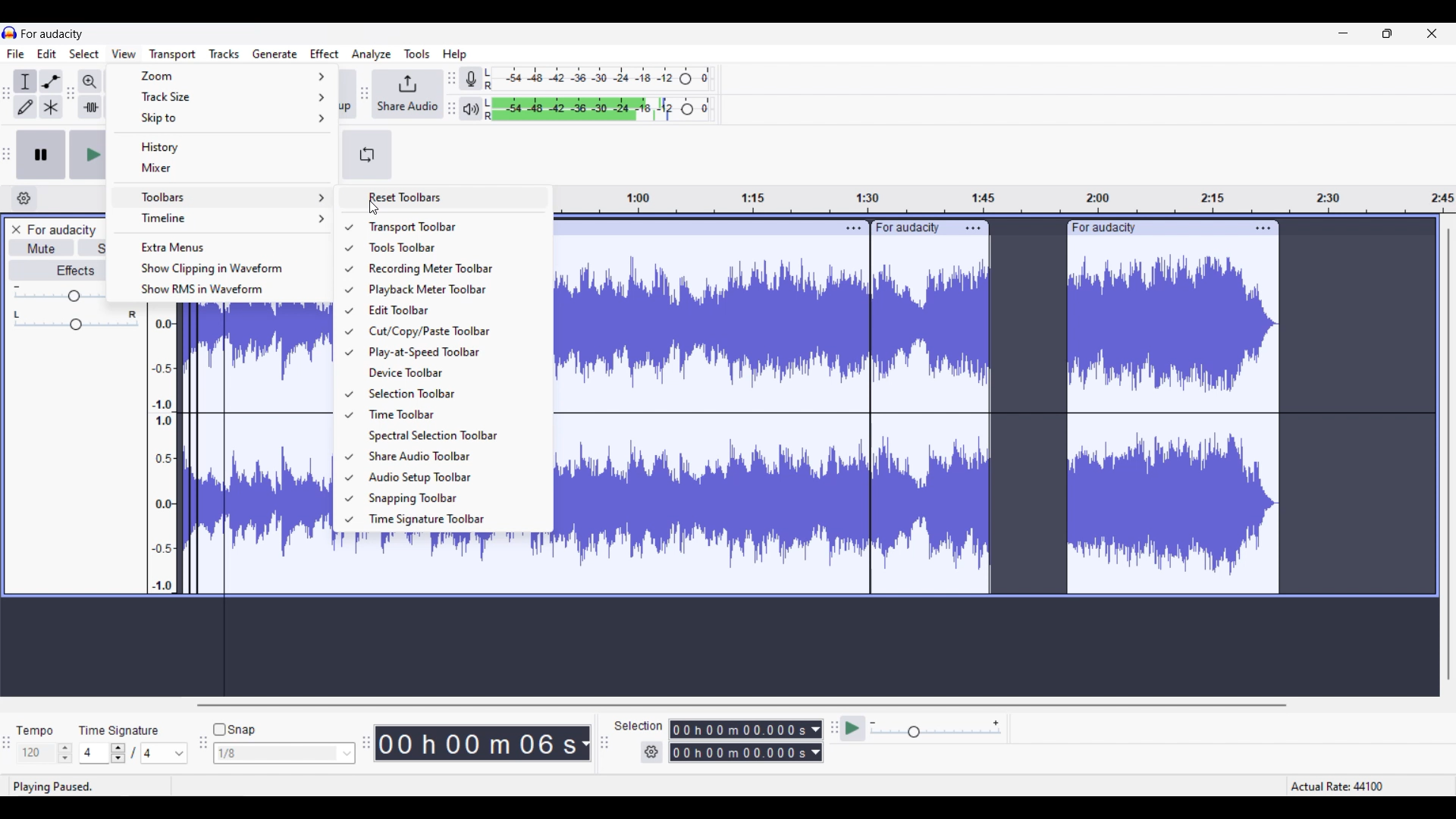  Describe the element at coordinates (222, 146) in the screenshot. I see `History` at that location.